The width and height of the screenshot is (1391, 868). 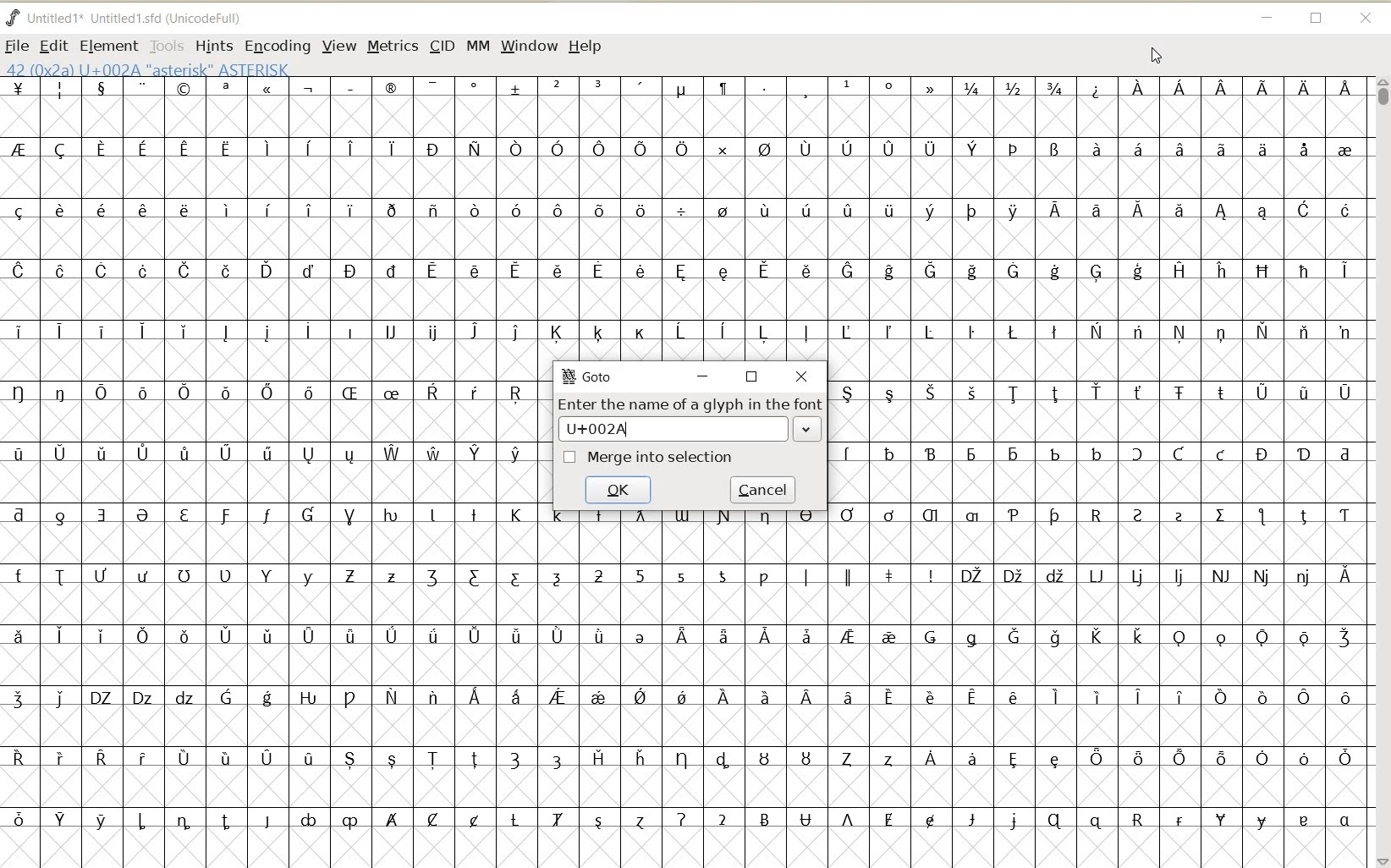 I want to click on WINDOW, so click(x=528, y=47).